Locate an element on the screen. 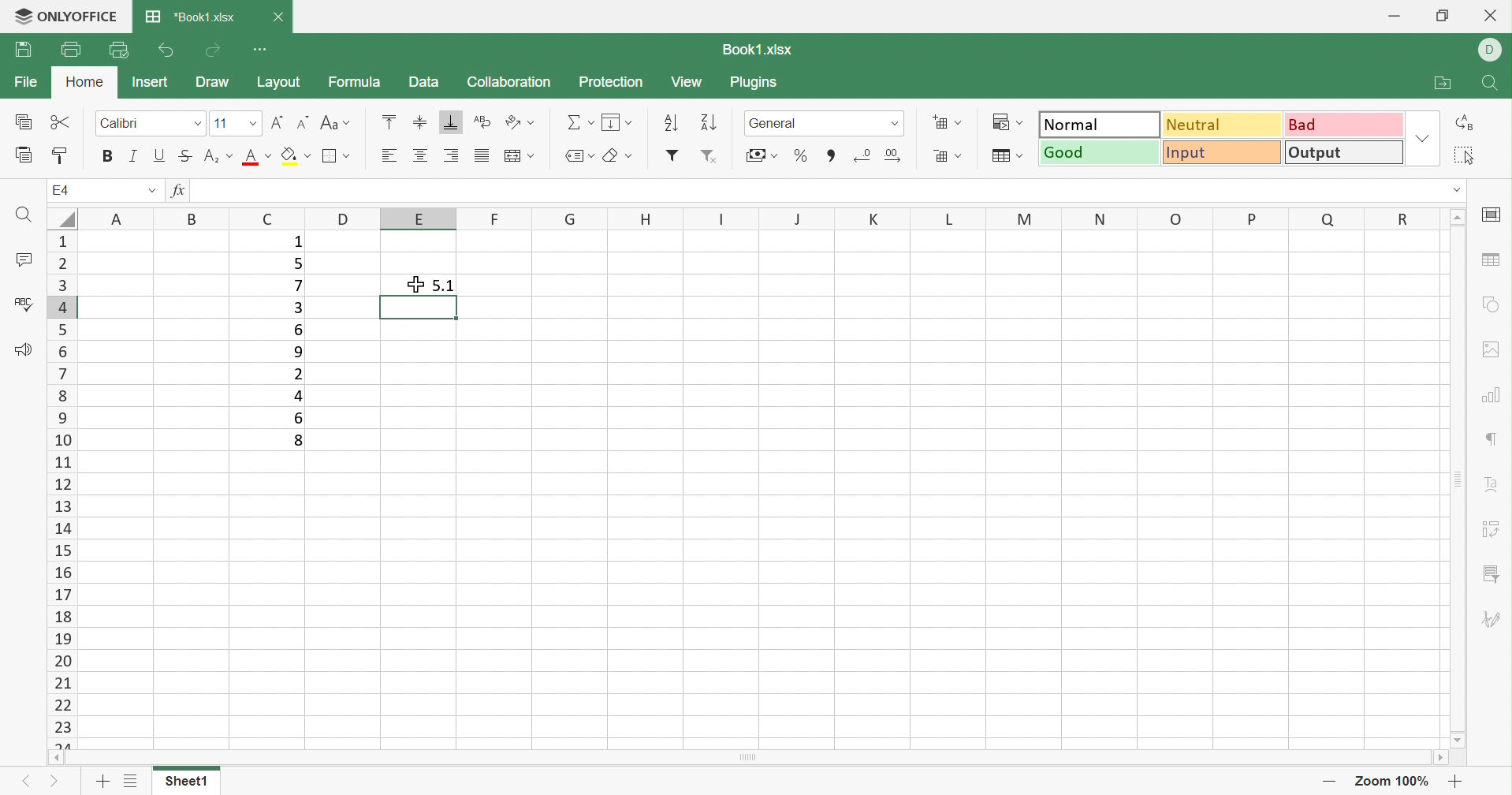  Superscript / subscript is located at coordinates (221, 155).